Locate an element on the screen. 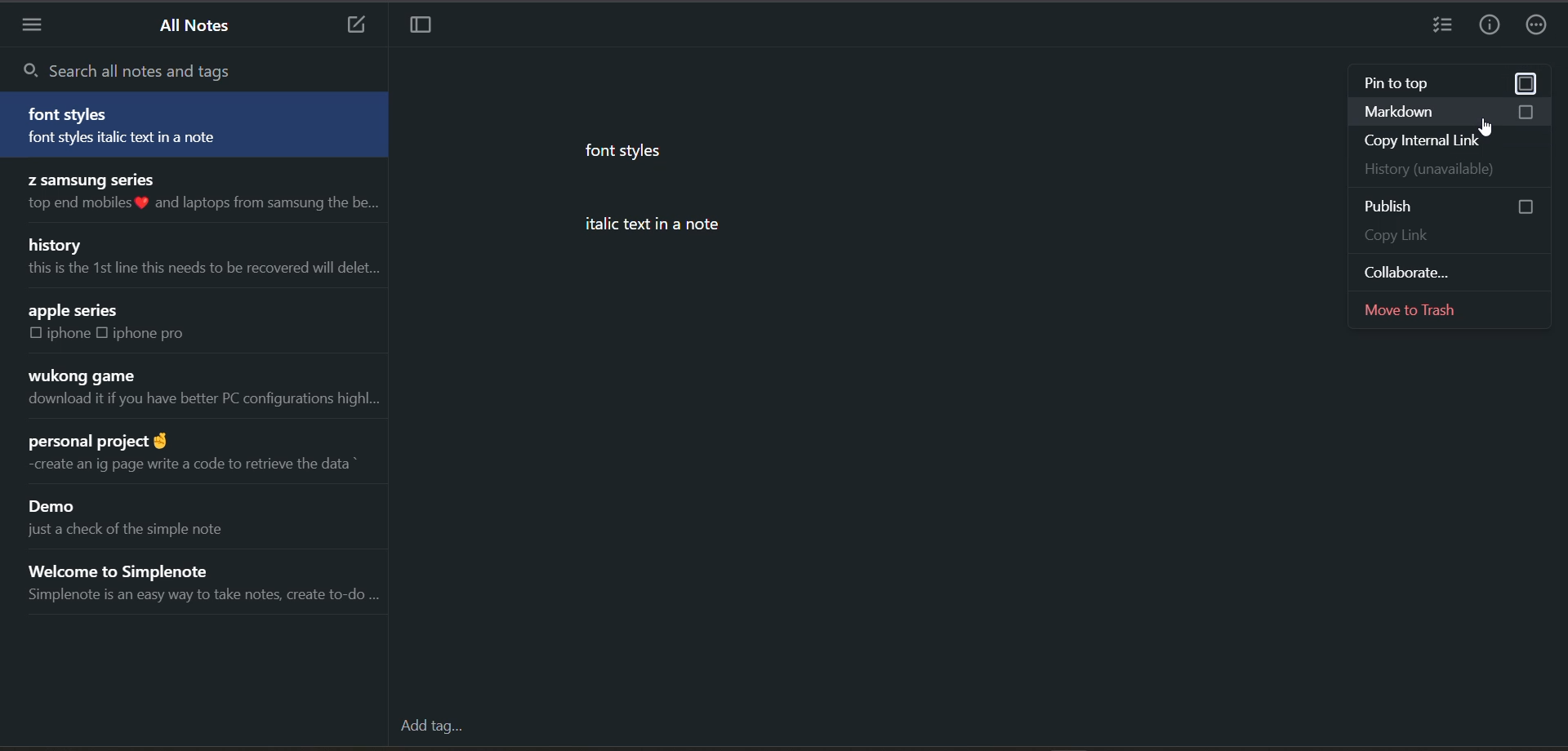  markdown is located at coordinates (1454, 111).